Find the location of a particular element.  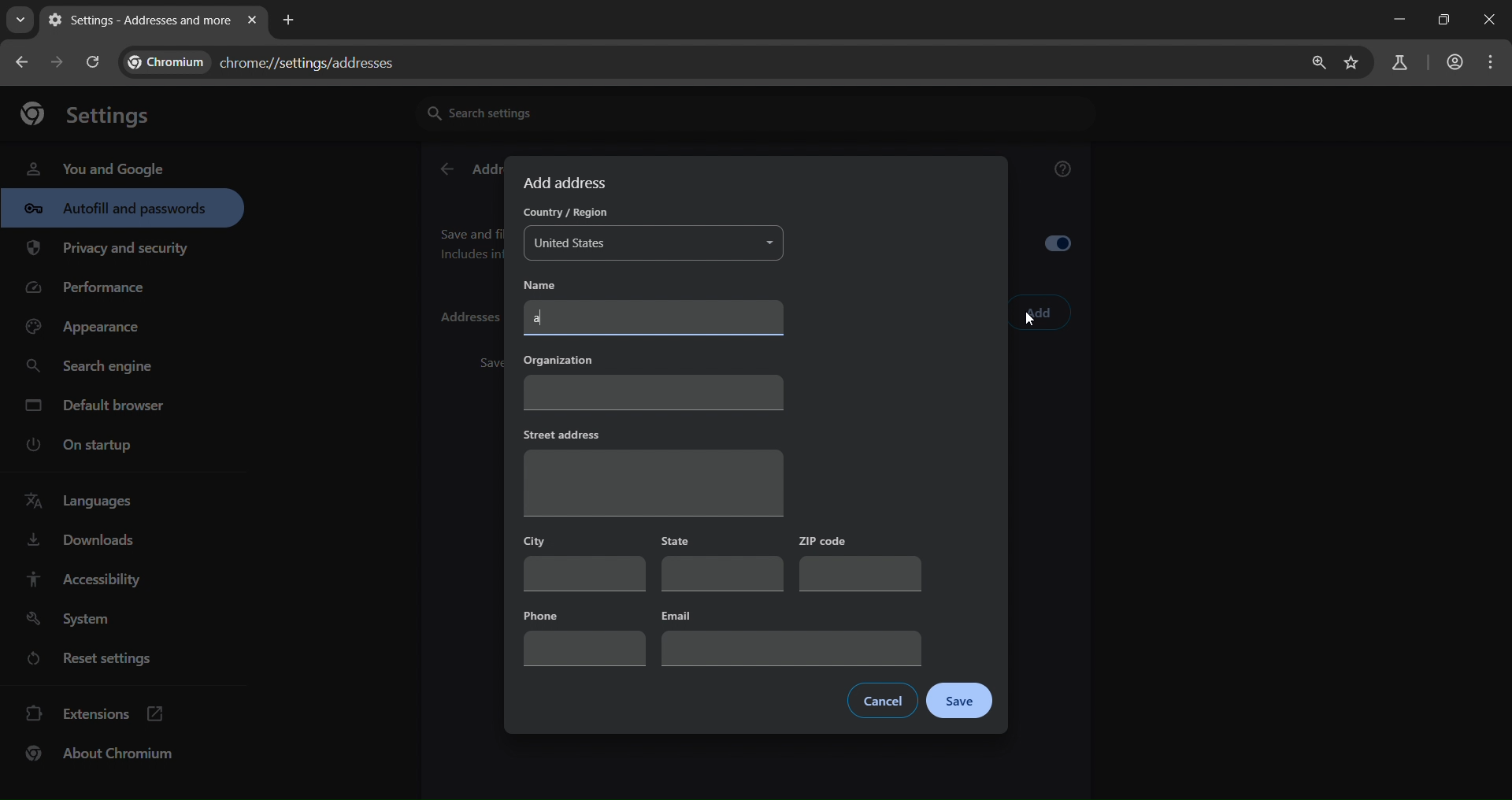

extensions is located at coordinates (95, 712).